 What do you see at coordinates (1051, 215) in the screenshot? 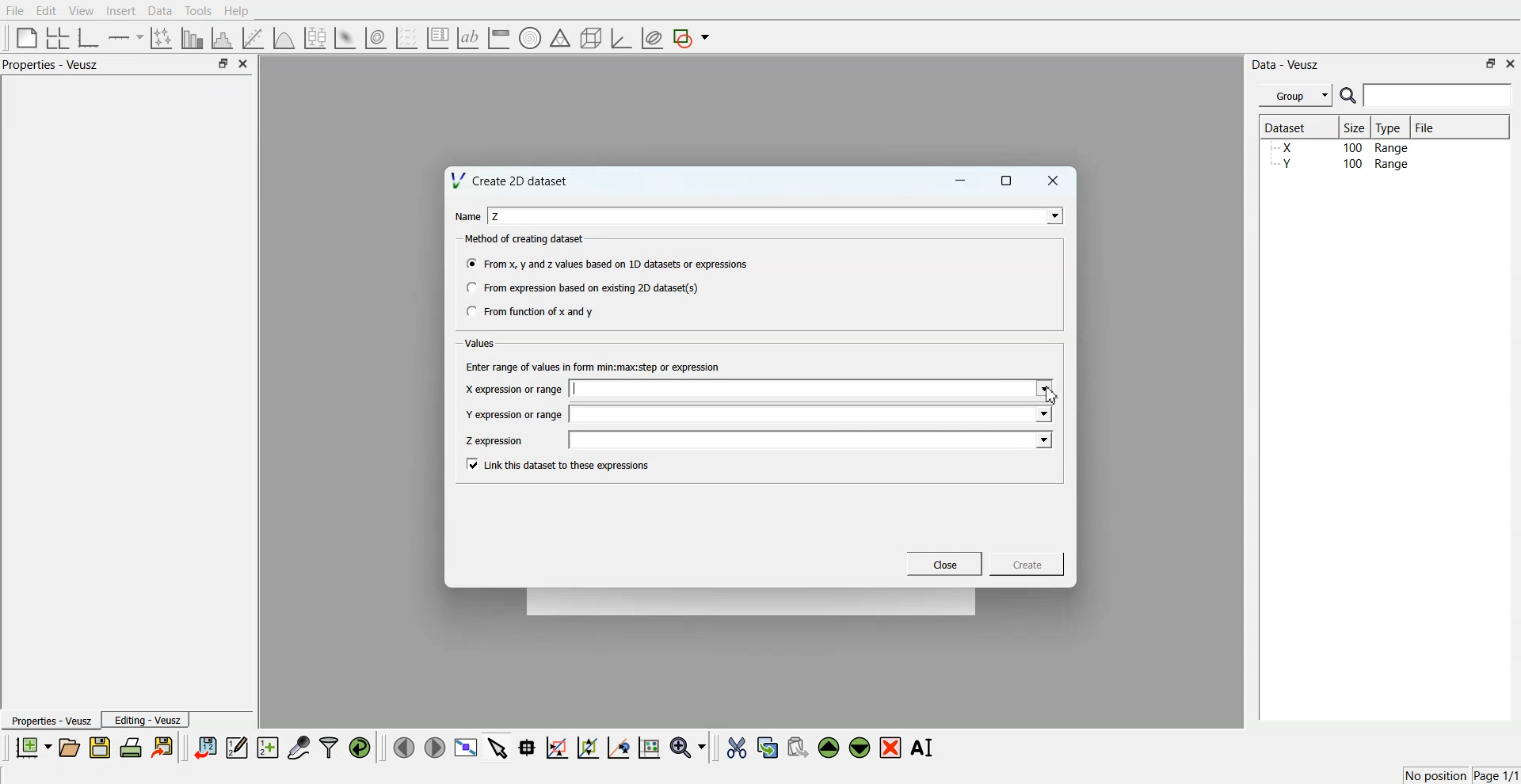
I see `Drop down` at bounding box center [1051, 215].